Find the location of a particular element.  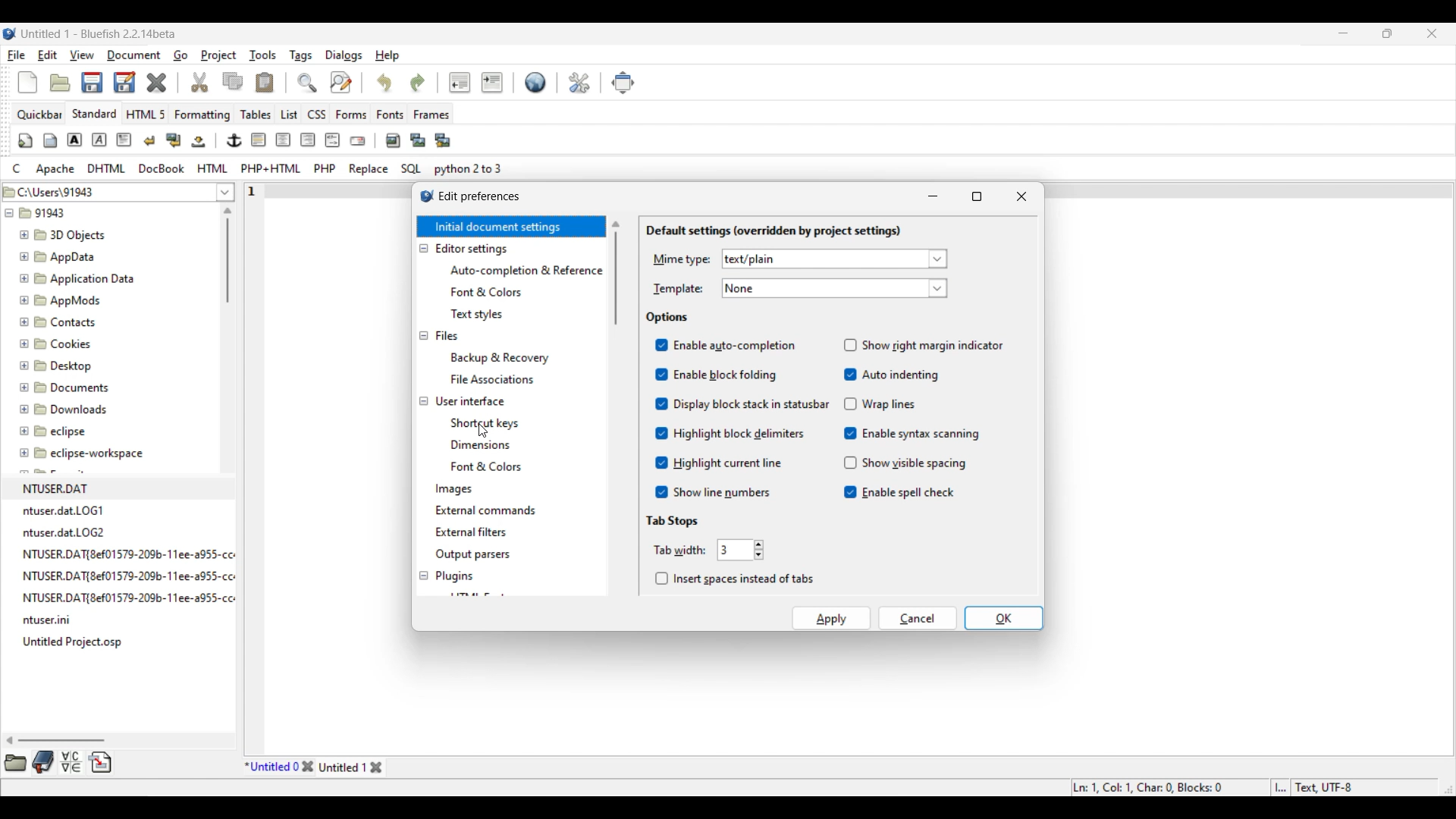

Vertical slide bar is located at coordinates (616, 273).